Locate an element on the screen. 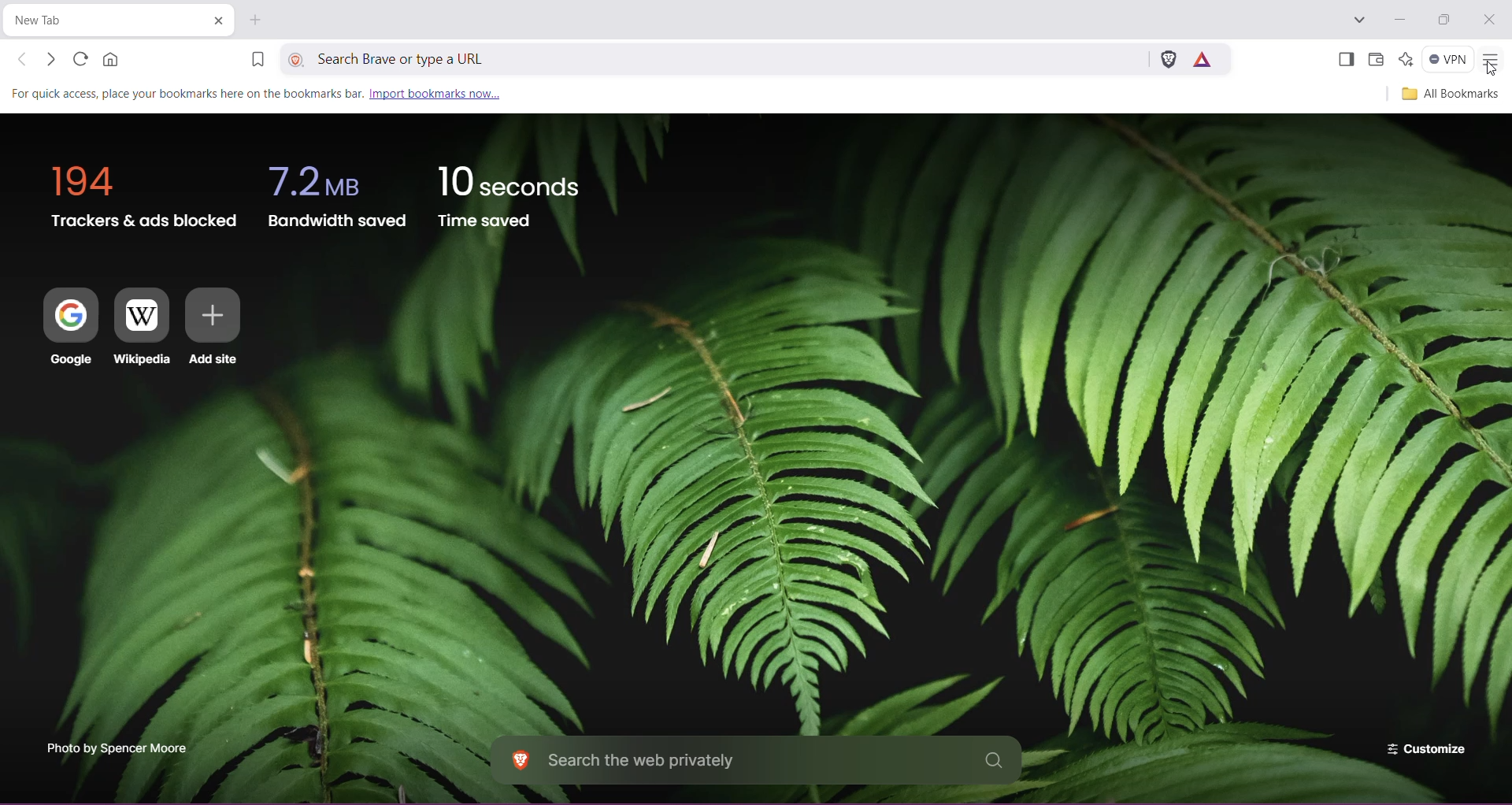  Search tabs is located at coordinates (1358, 20).